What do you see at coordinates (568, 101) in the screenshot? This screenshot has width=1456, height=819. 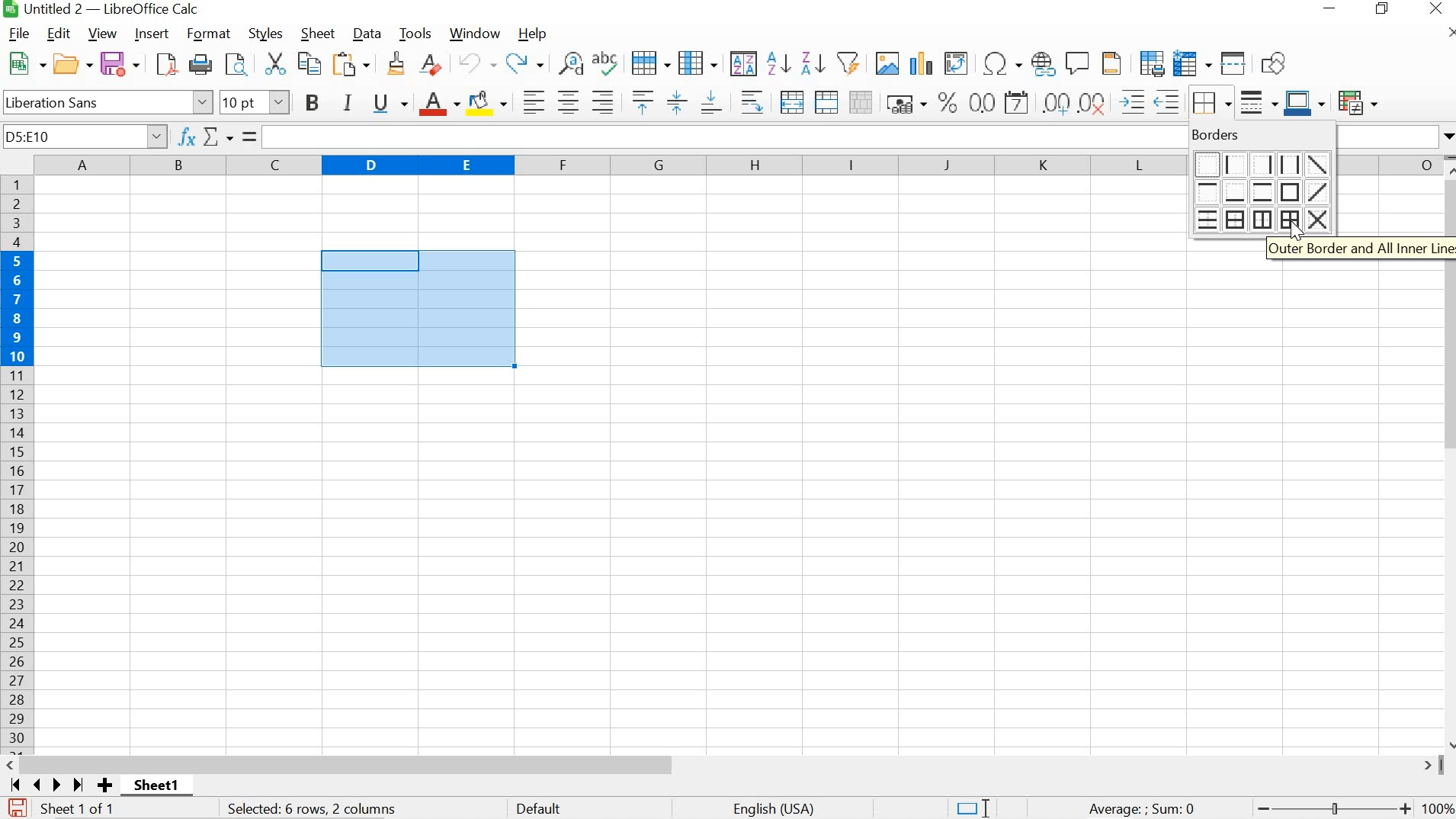 I see `ALIGN CENTER` at bounding box center [568, 101].